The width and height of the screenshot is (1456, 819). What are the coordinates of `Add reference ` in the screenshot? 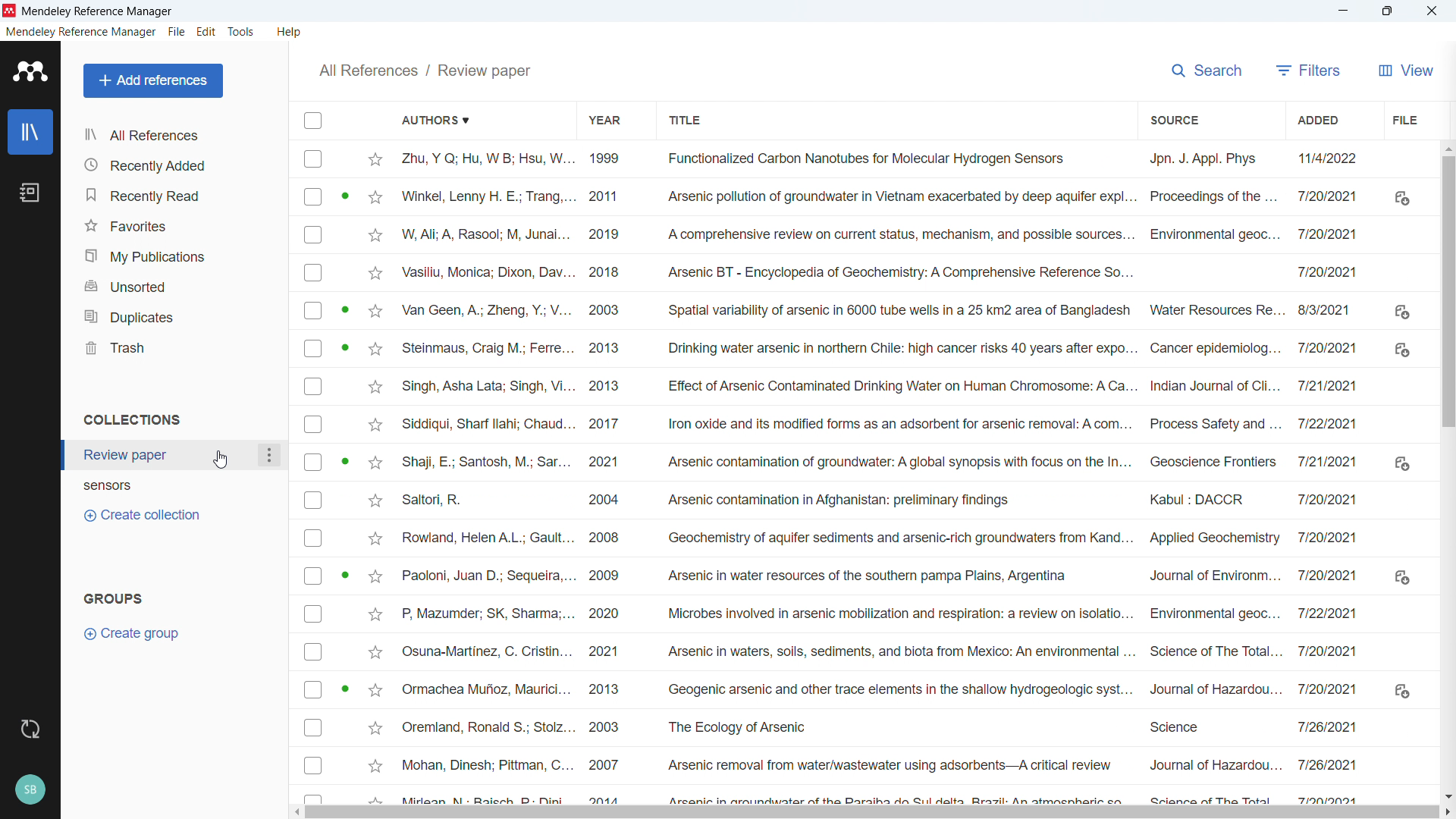 It's located at (154, 81).